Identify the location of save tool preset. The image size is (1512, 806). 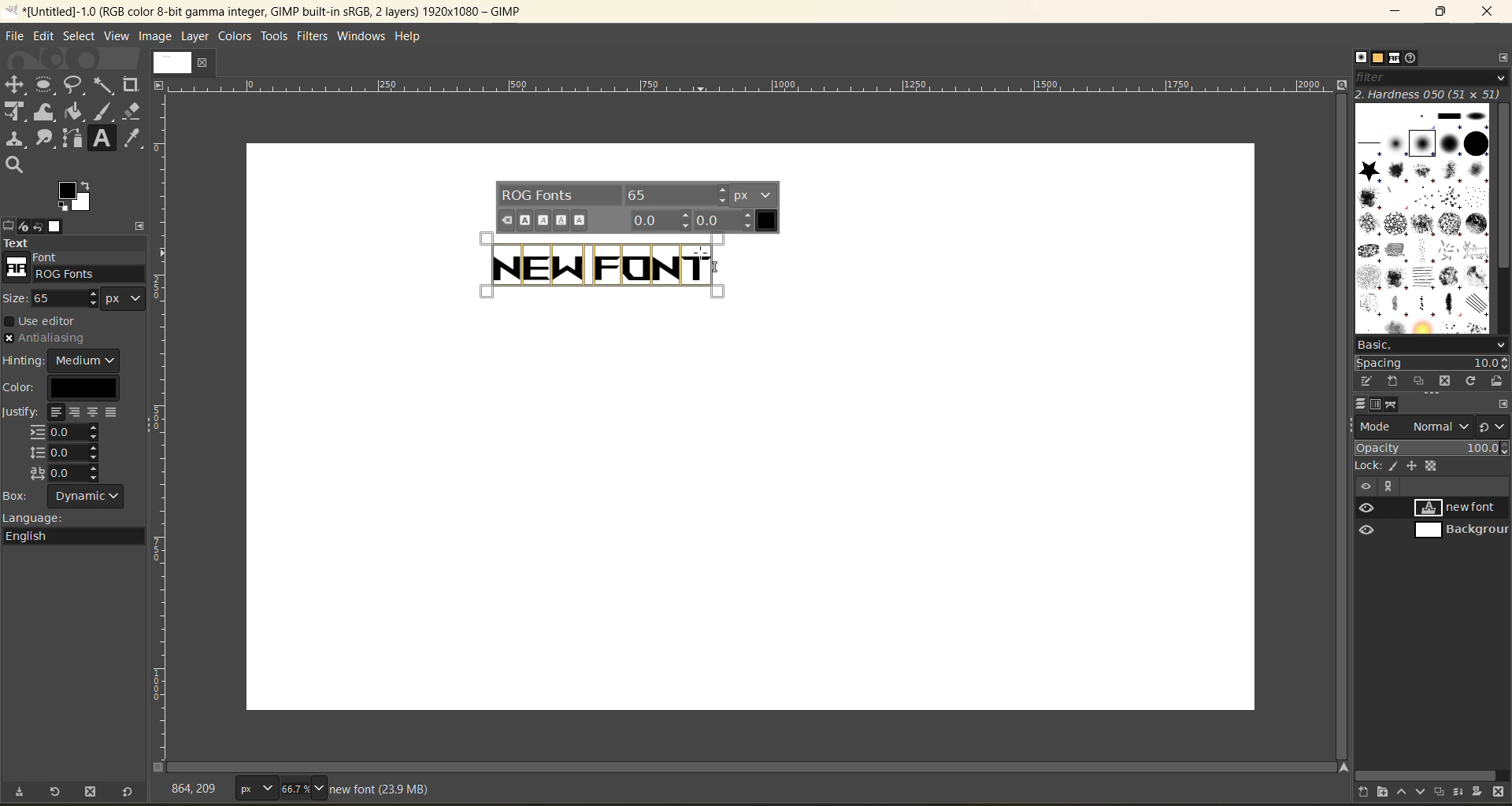
(24, 790).